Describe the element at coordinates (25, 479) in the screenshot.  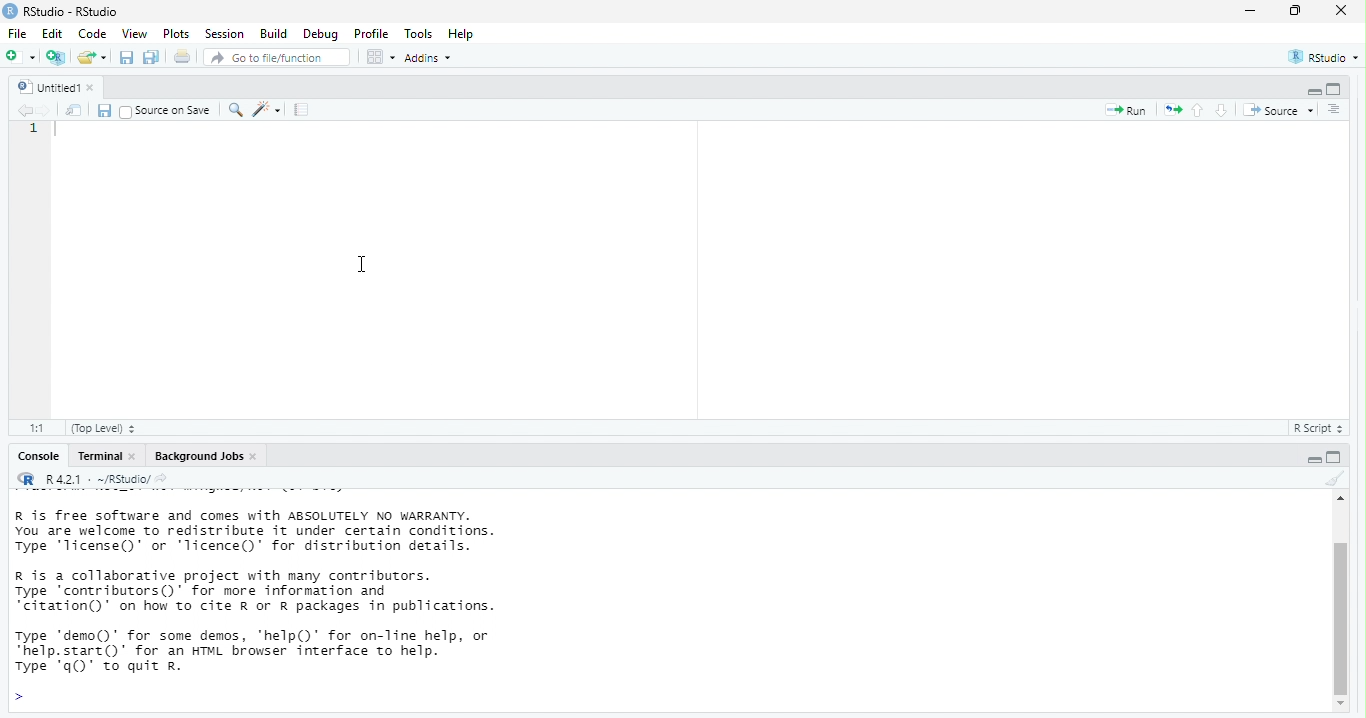
I see `R logo` at that location.